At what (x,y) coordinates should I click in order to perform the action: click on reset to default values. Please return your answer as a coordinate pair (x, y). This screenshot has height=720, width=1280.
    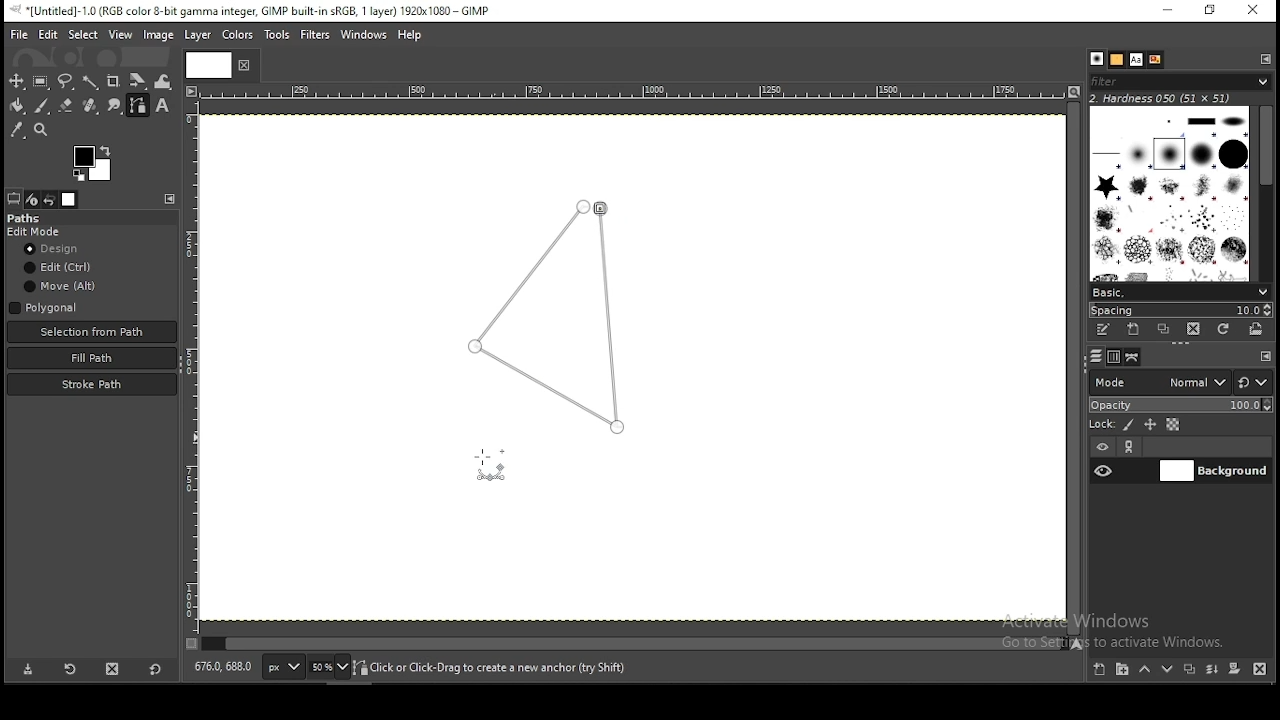
    Looking at the image, I should click on (156, 674).